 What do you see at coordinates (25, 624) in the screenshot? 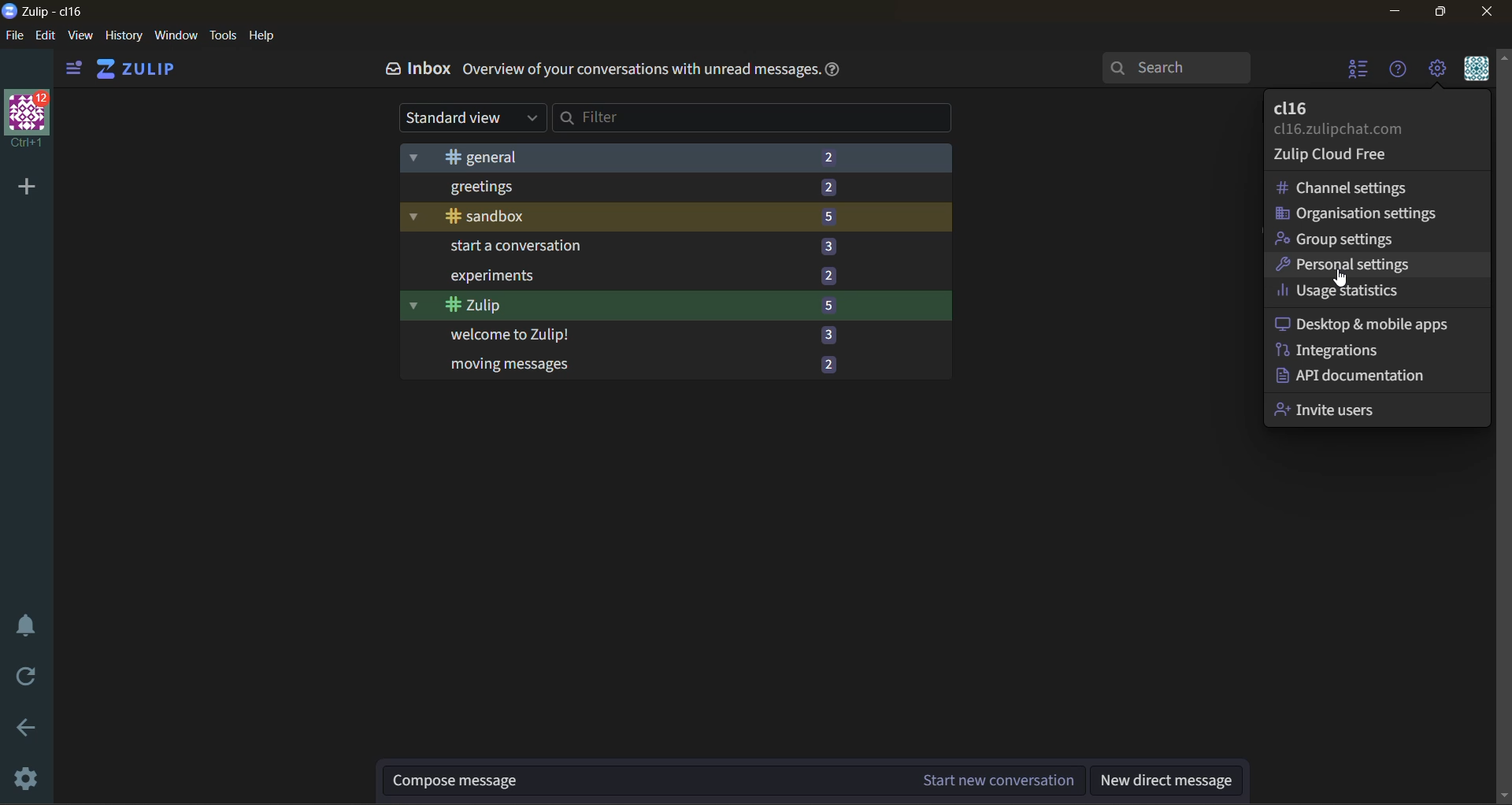
I see `enable do not disturb` at bounding box center [25, 624].